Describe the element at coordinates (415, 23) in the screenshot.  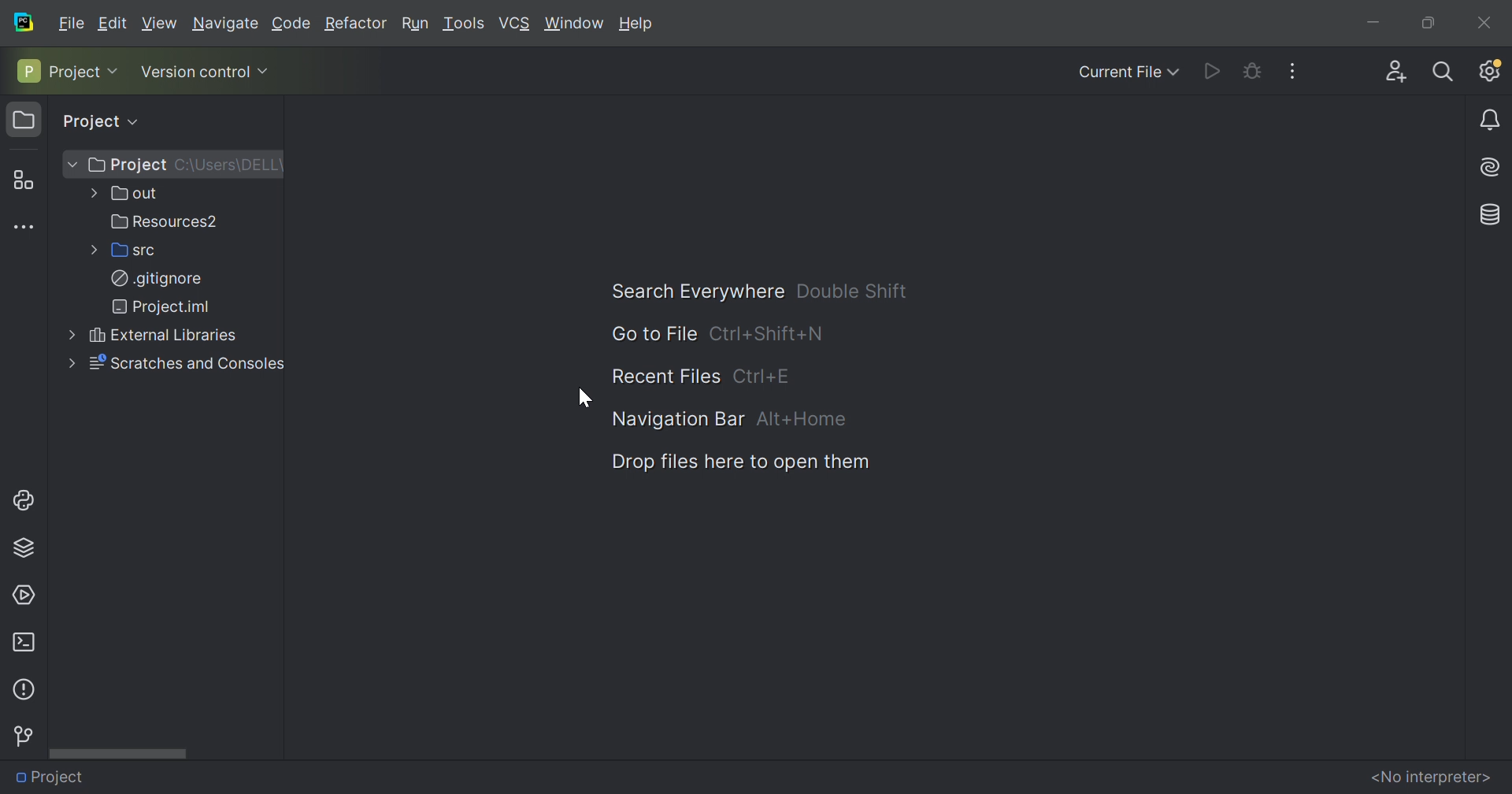
I see `Run` at that location.